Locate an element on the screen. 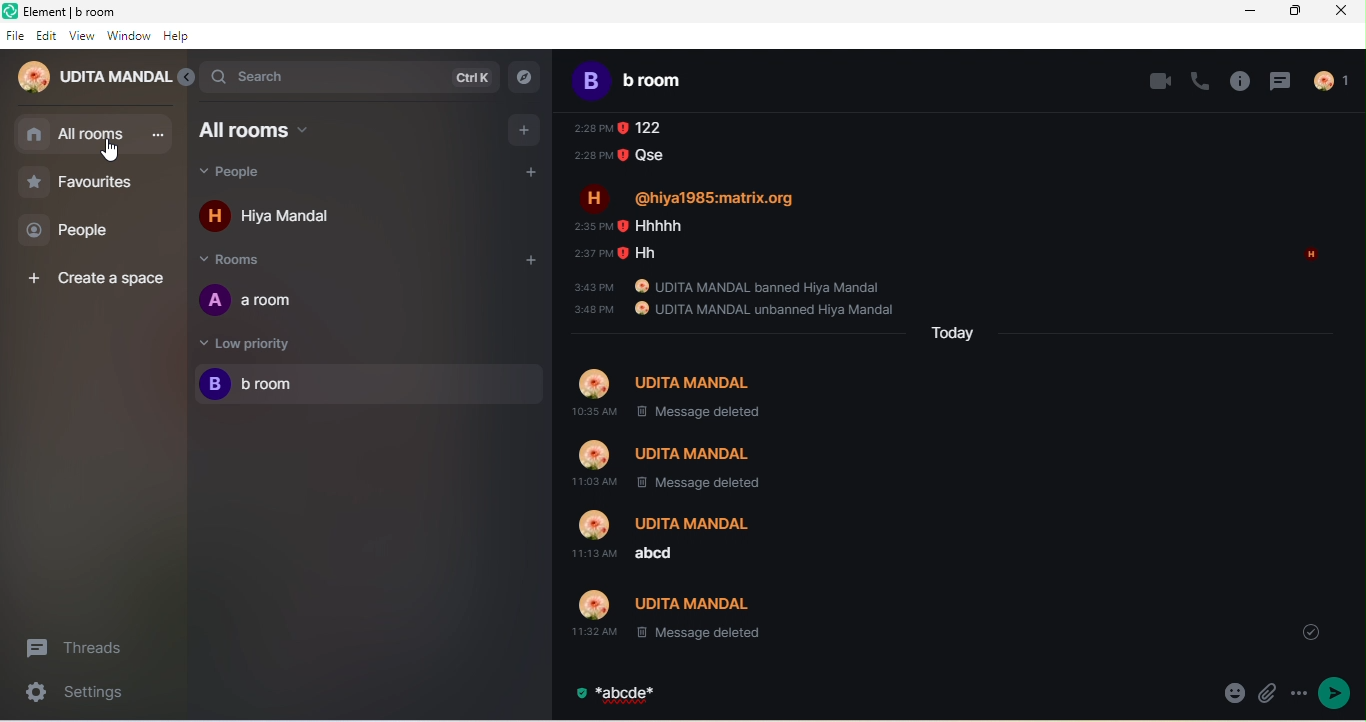  minimize is located at coordinates (1251, 10).